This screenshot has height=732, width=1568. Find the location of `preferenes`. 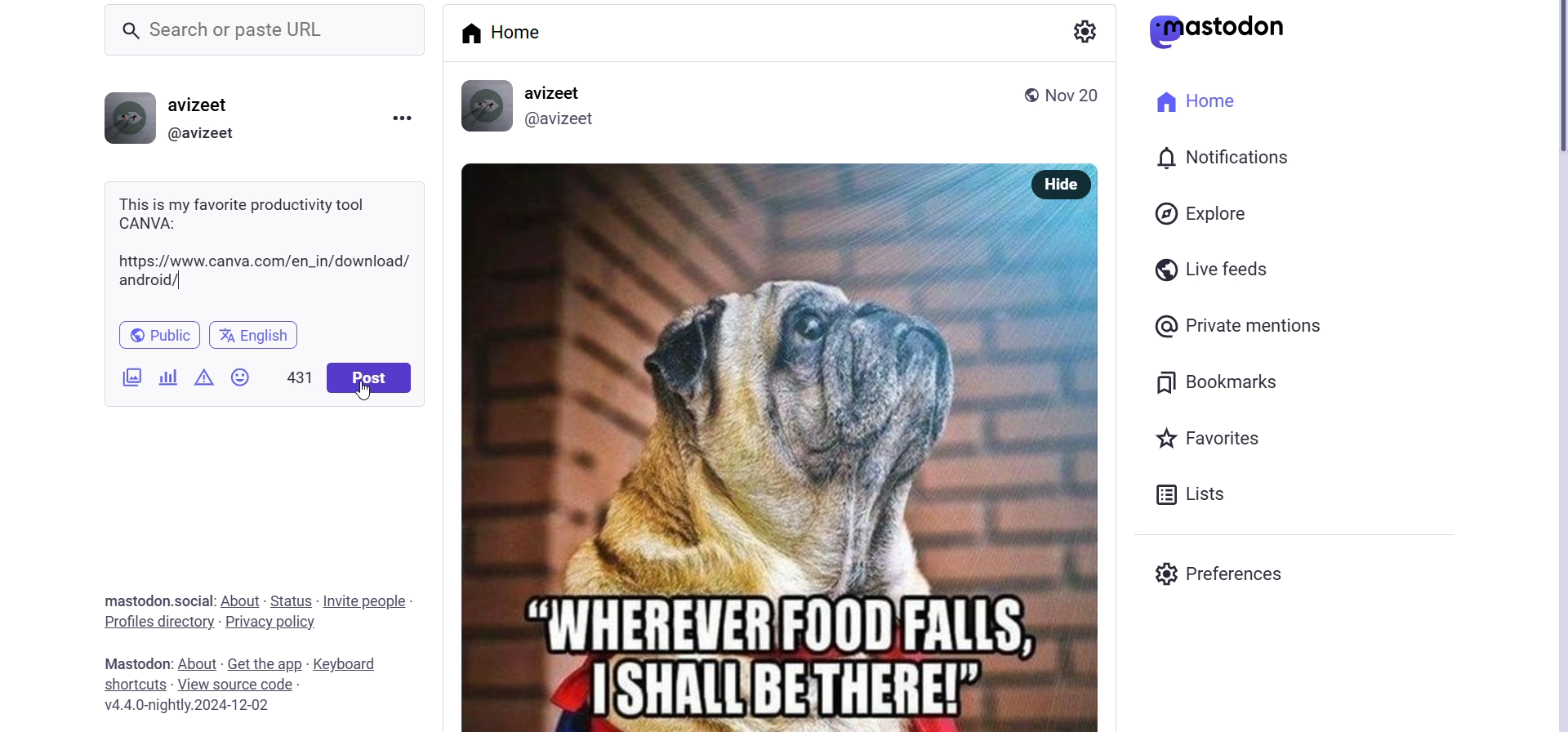

preferenes is located at coordinates (1236, 578).